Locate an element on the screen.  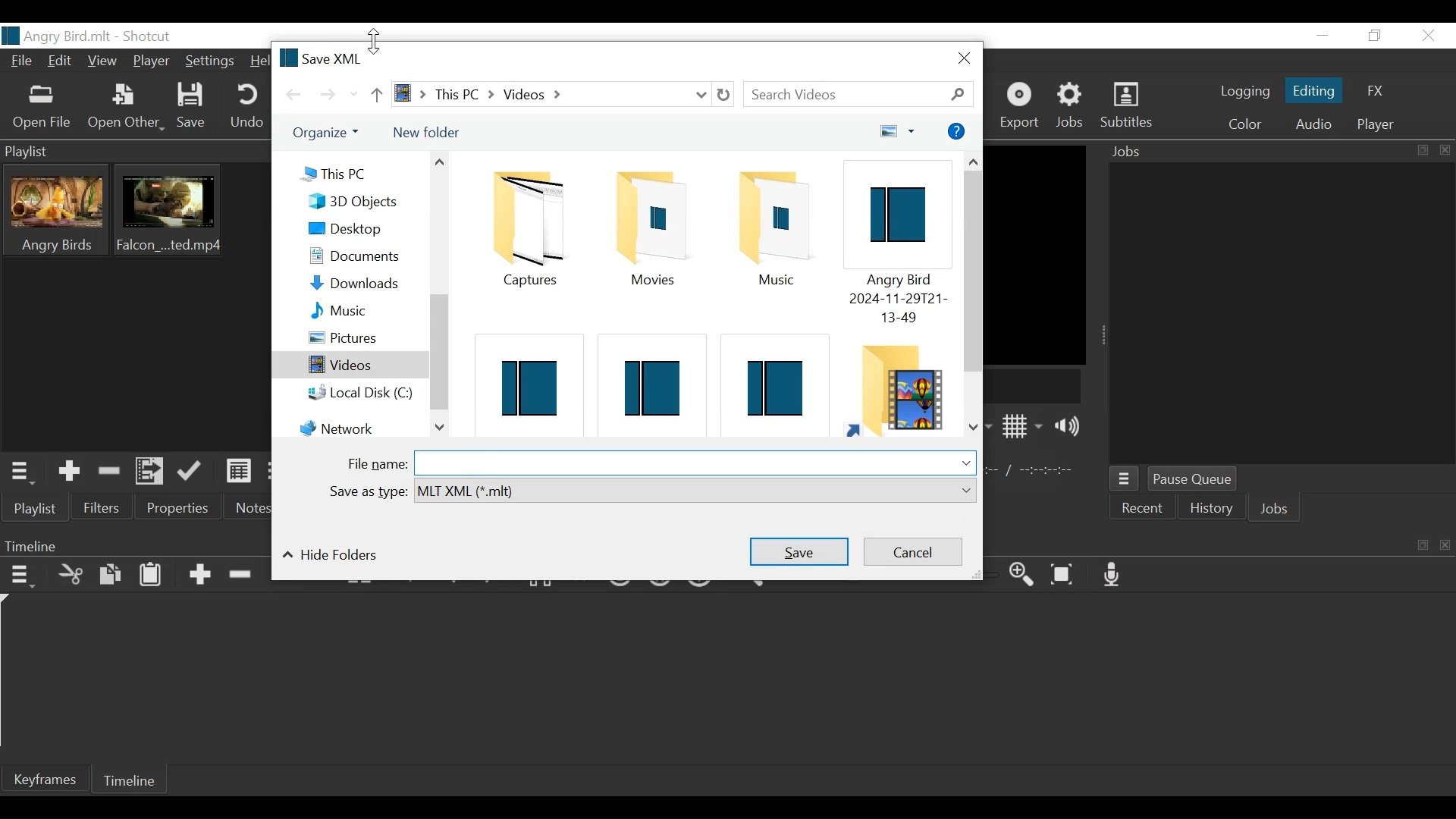
Timeline is located at coordinates (136, 780).